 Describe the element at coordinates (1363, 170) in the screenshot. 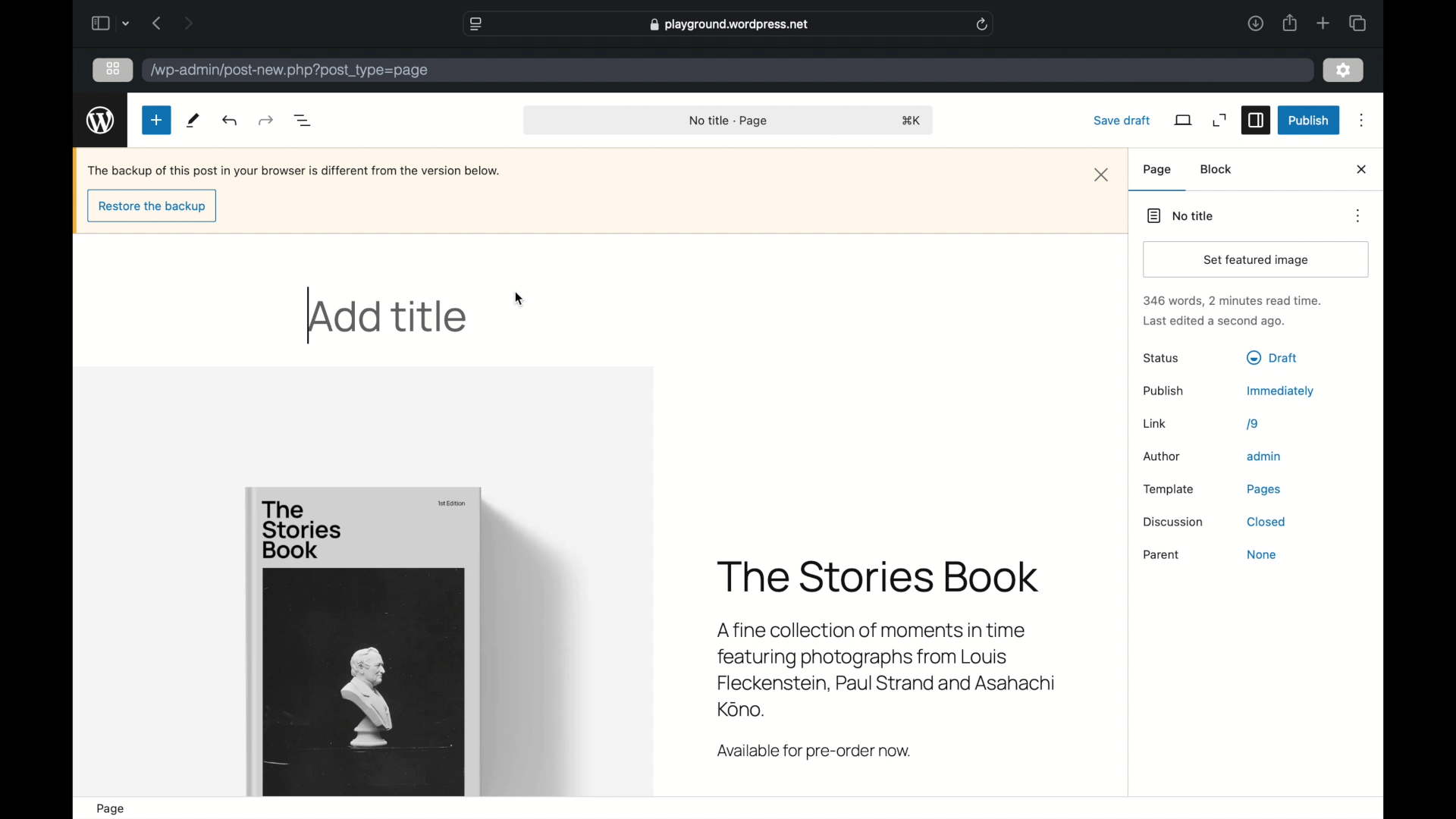

I see `close` at that location.